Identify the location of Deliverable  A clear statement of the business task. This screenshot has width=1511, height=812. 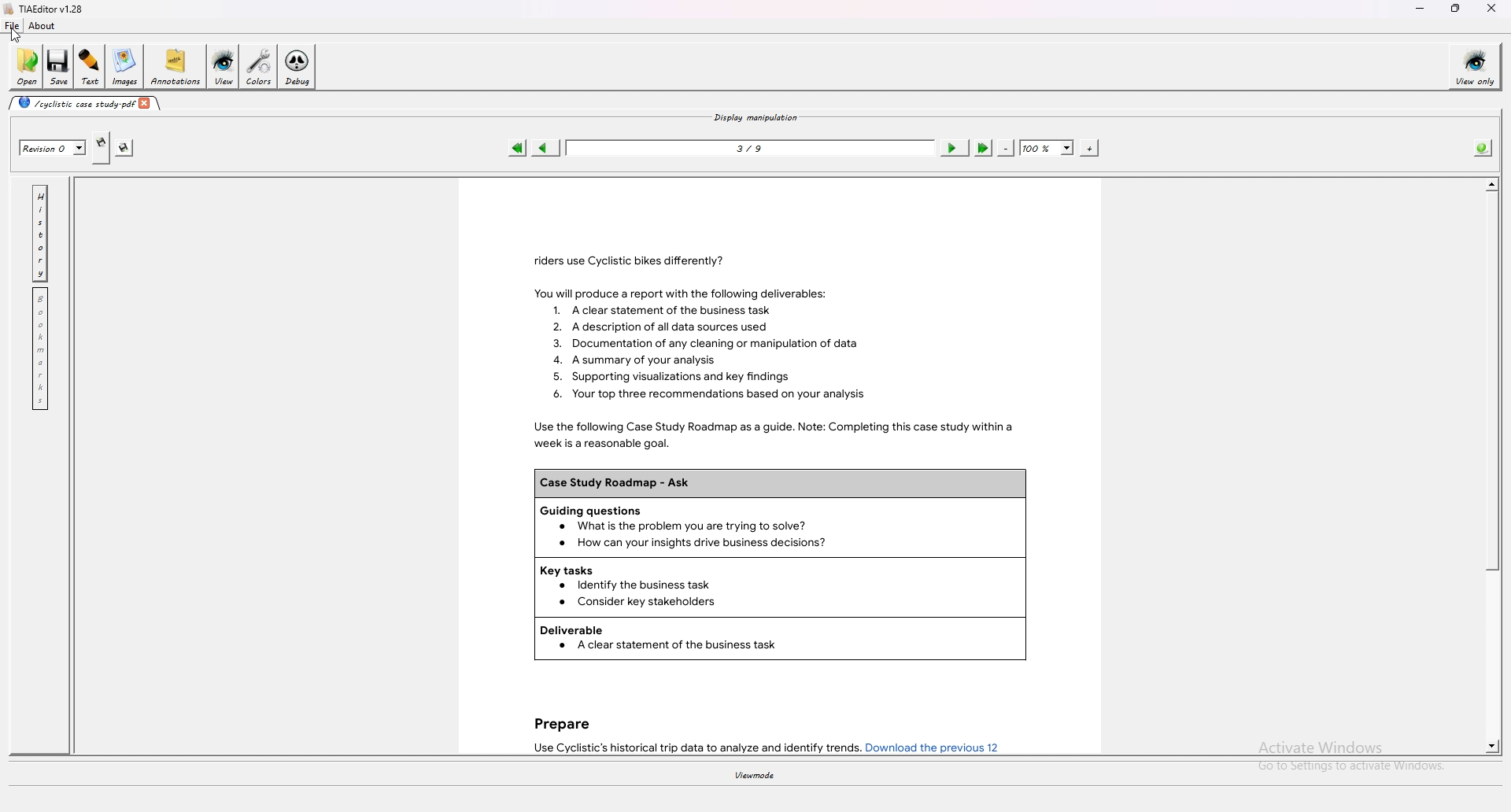
(781, 638).